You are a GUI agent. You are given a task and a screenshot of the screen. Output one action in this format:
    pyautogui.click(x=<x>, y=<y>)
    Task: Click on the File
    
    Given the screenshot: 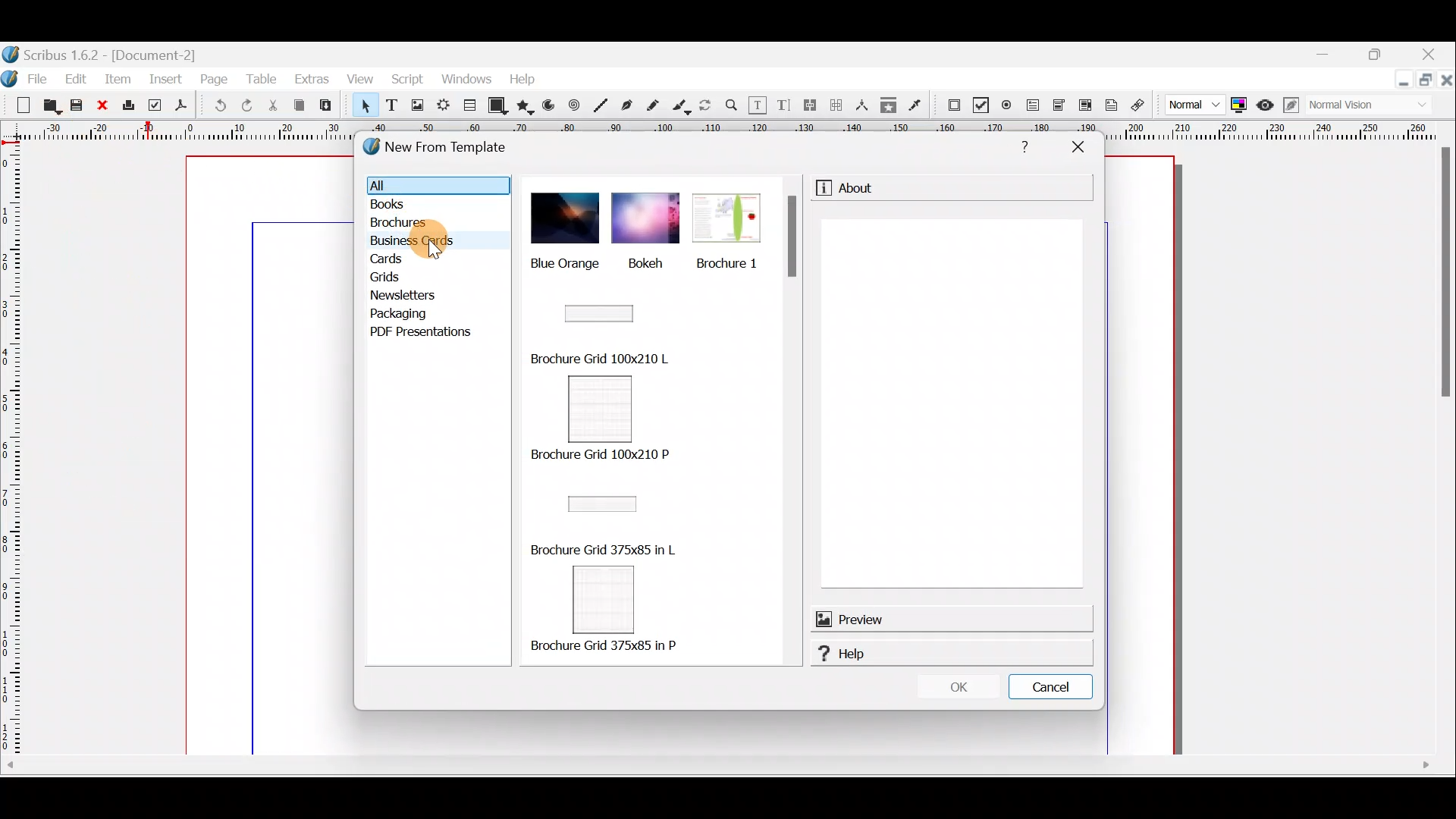 What is the action you would take?
    pyautogui.click(x=27, y=77)
    